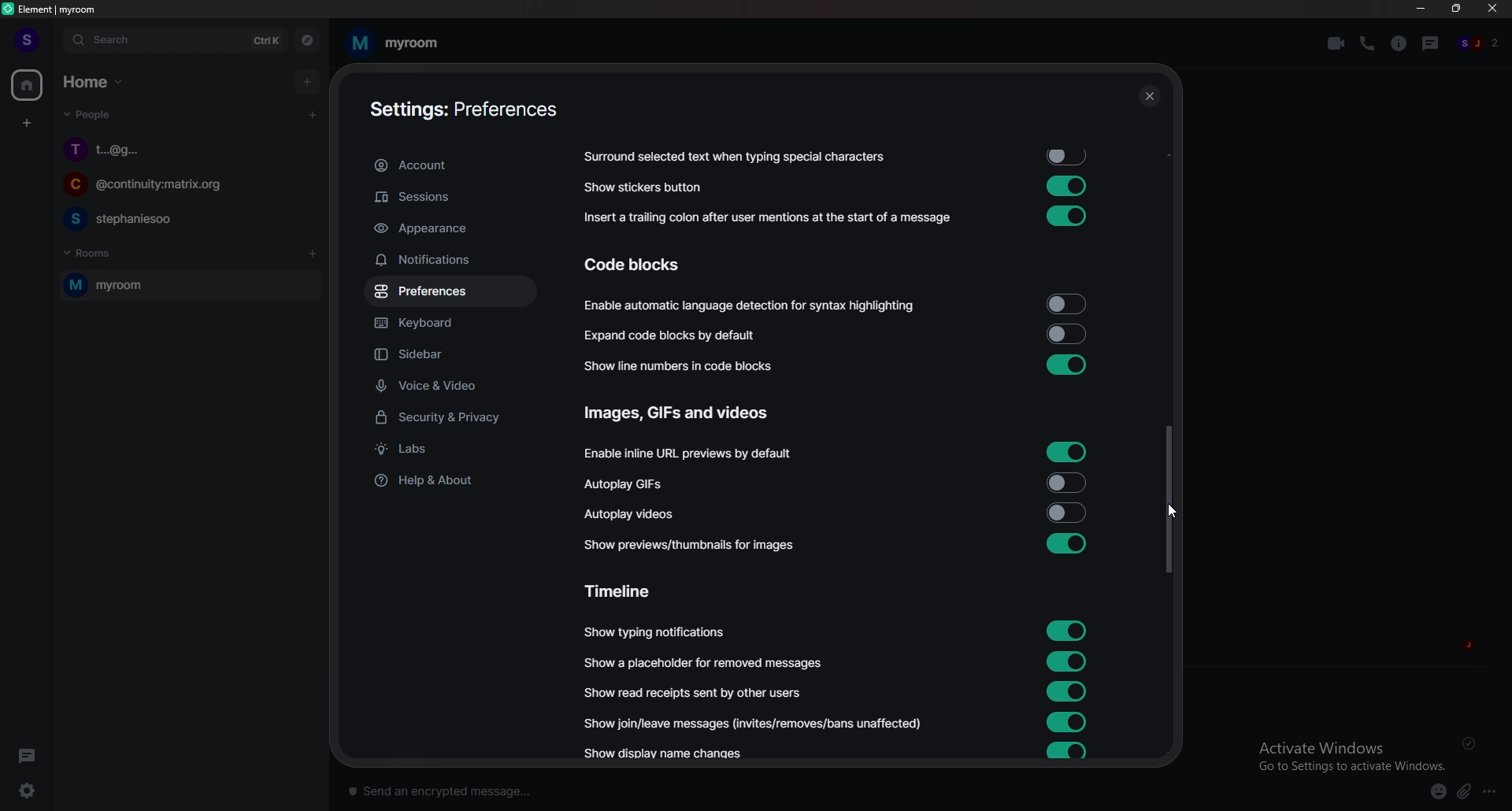 The image size is (1512, 811). What do you see at coordinates (1066, 544) in the screenshot?
I see `toggle` at bounding box center [1066, 544].